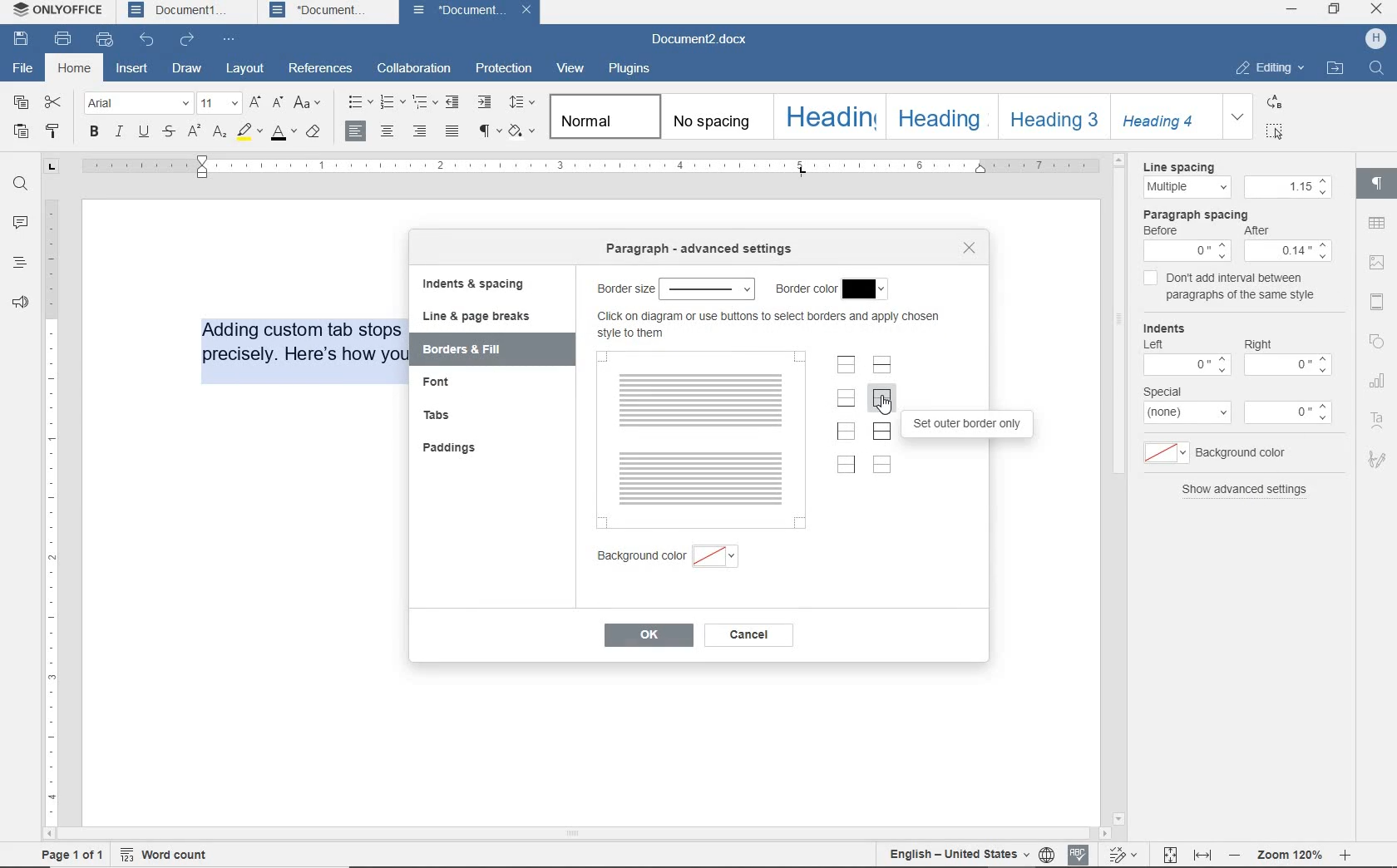 Image resolution: width=1397 pixels, height=868 pixels. I want to click on ok, so click(646, 635).